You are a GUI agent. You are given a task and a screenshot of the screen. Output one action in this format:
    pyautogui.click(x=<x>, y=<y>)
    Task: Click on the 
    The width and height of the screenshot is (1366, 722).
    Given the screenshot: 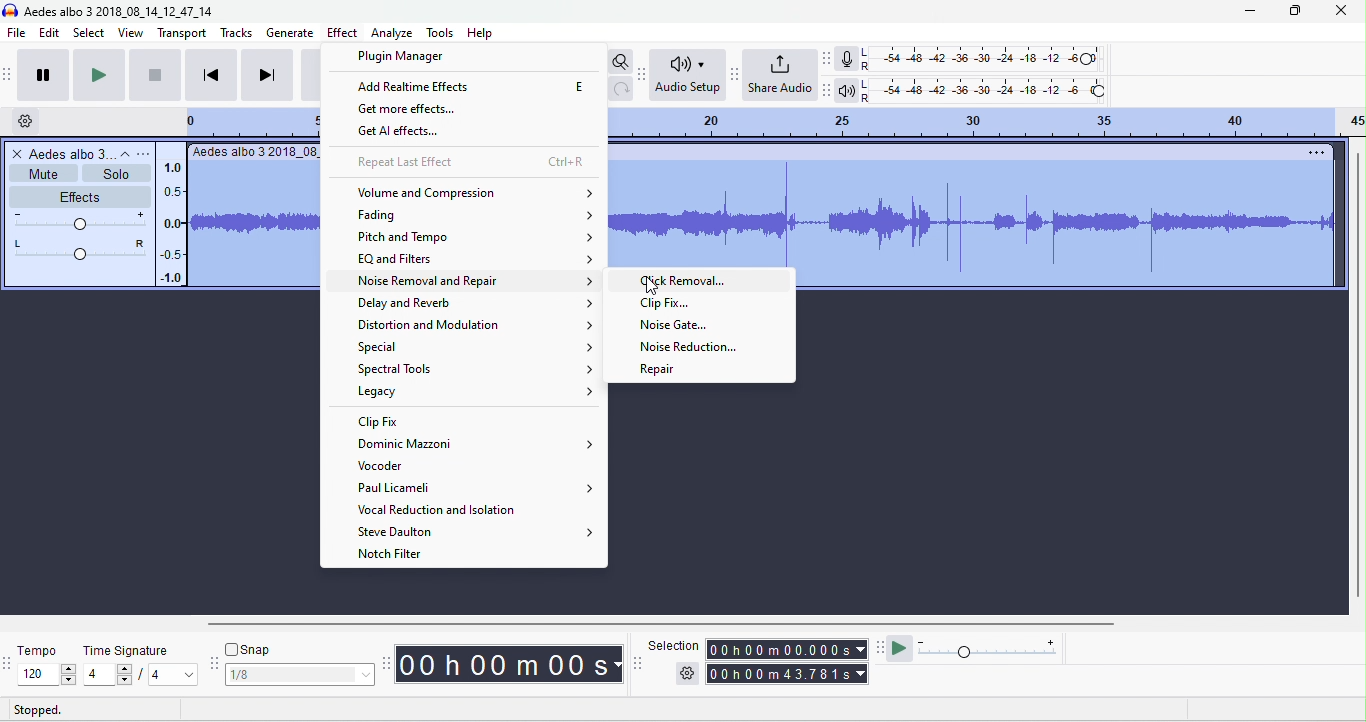 What is the action you would take?
    pyautogui.click(x=88, y=154)
    